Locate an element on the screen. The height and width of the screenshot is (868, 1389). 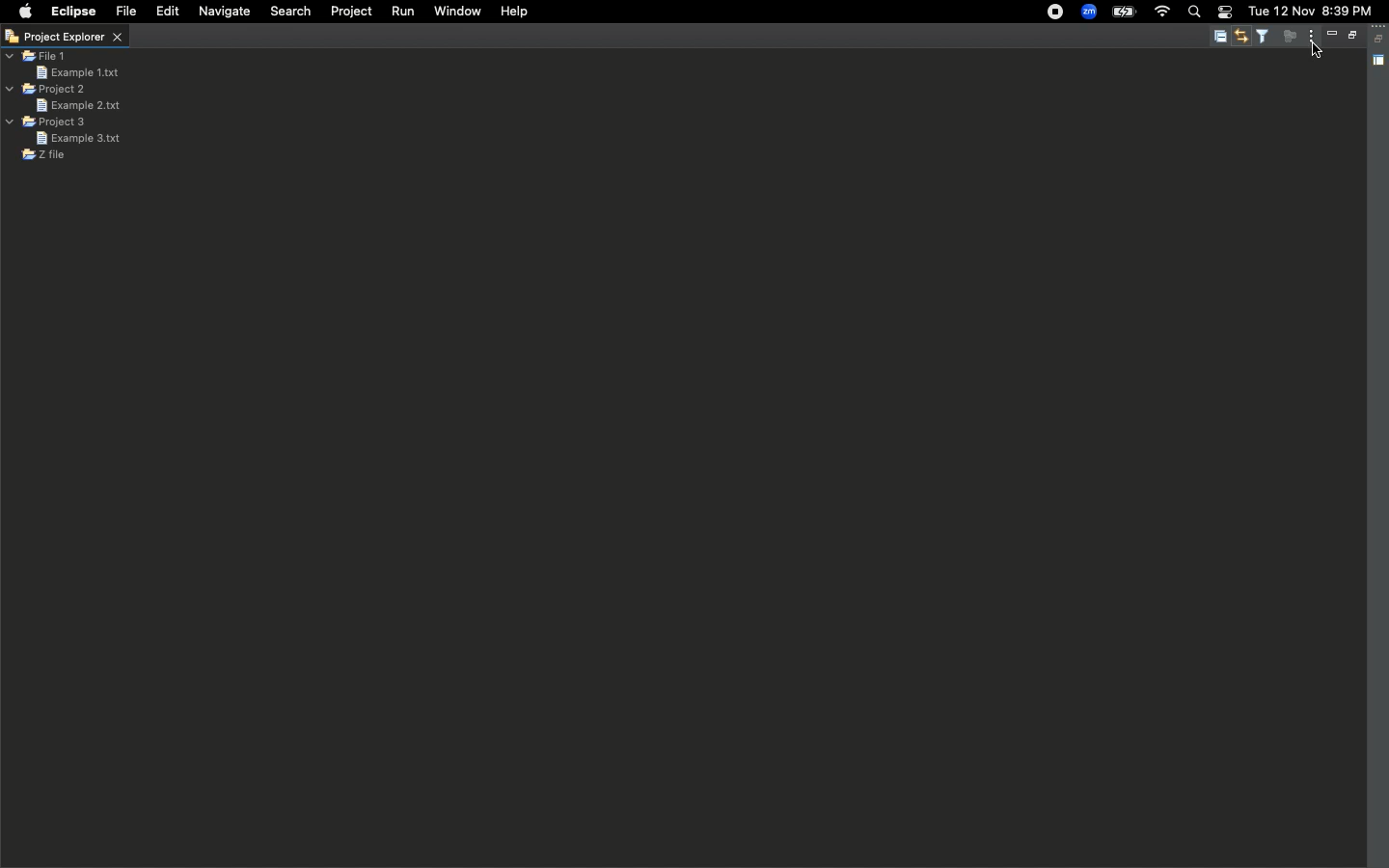
Z file is located at coordinates (43, 155).